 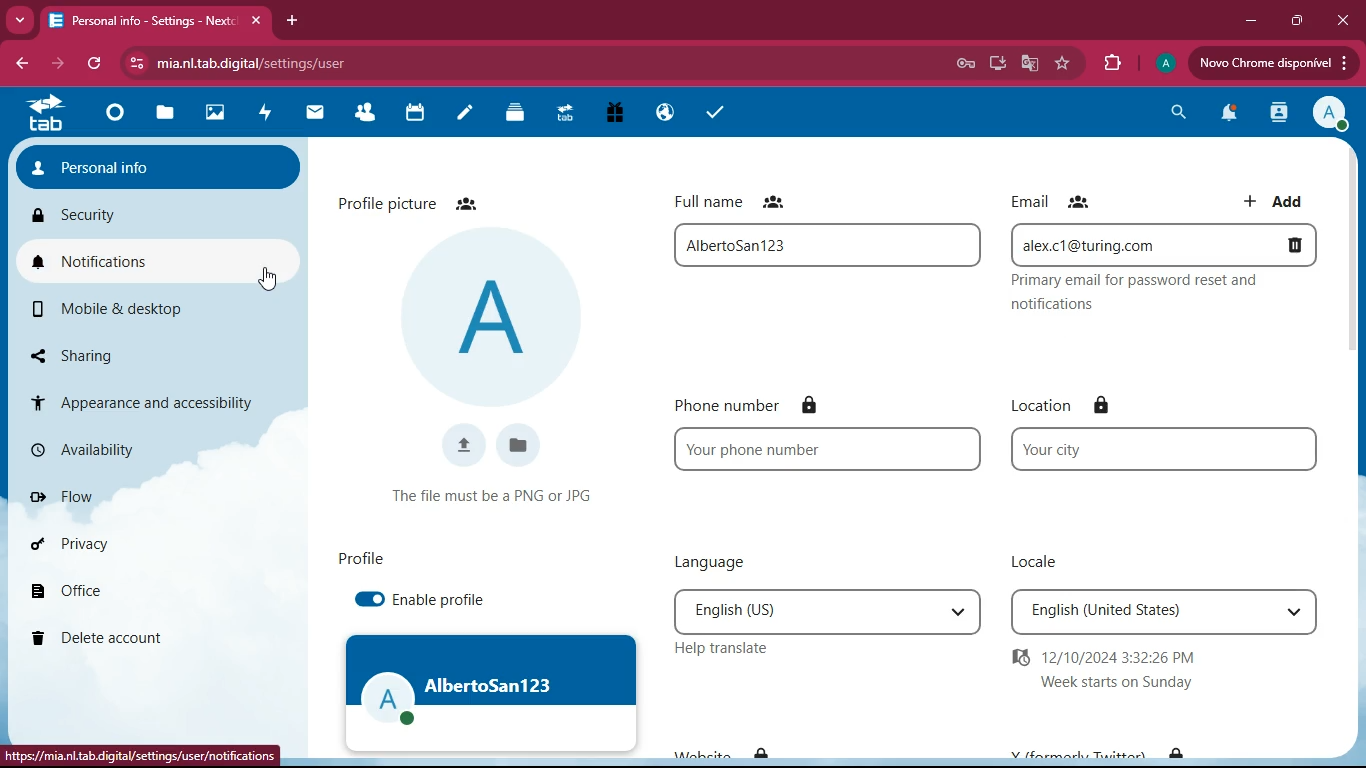 What do you see at coordinates (447, 600) in the screenshot?
I see `enable` at bounding box center [447, 600].